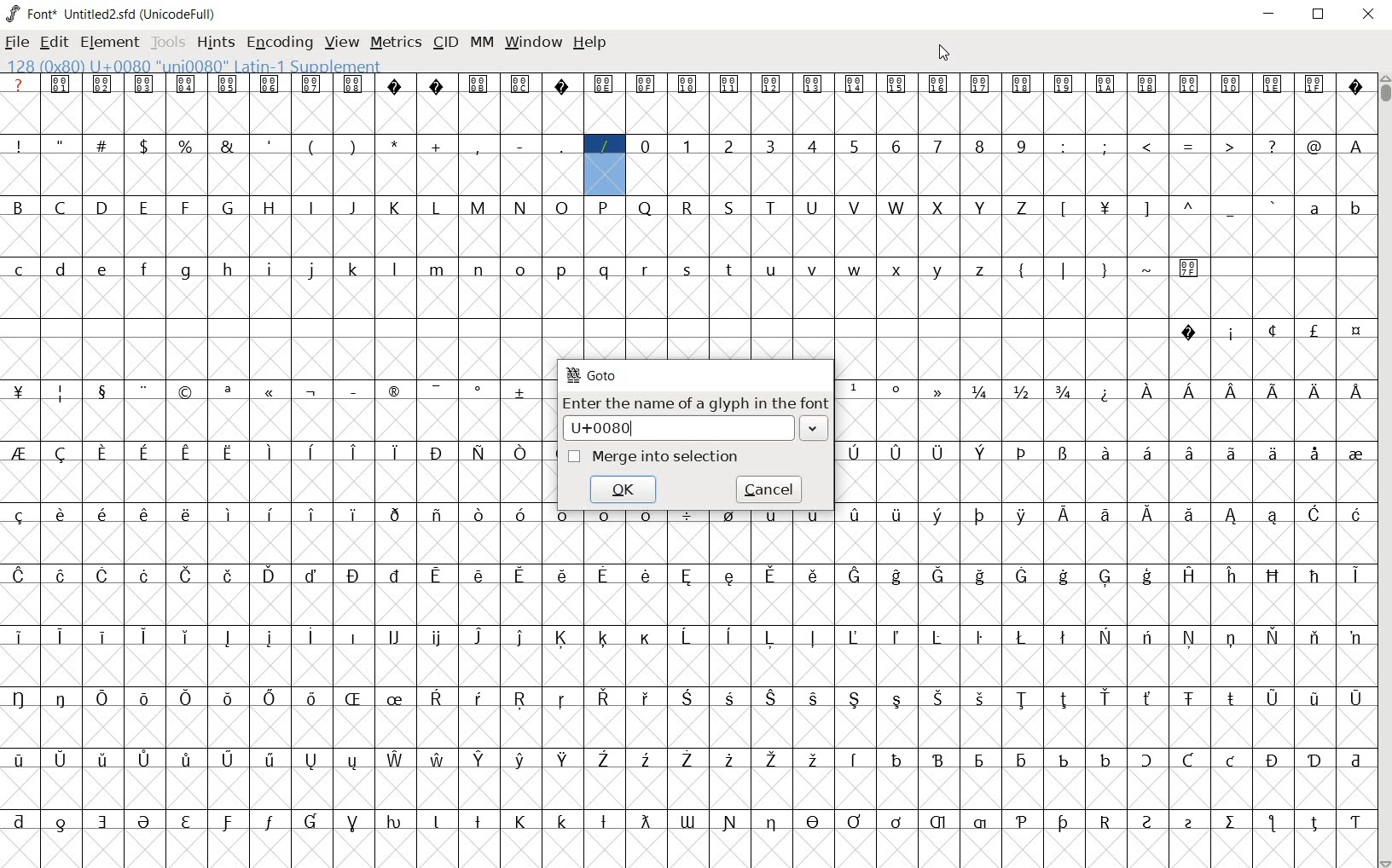 This screenshot has width=1392, height=868. I want to click on ok, so click(622, 489).